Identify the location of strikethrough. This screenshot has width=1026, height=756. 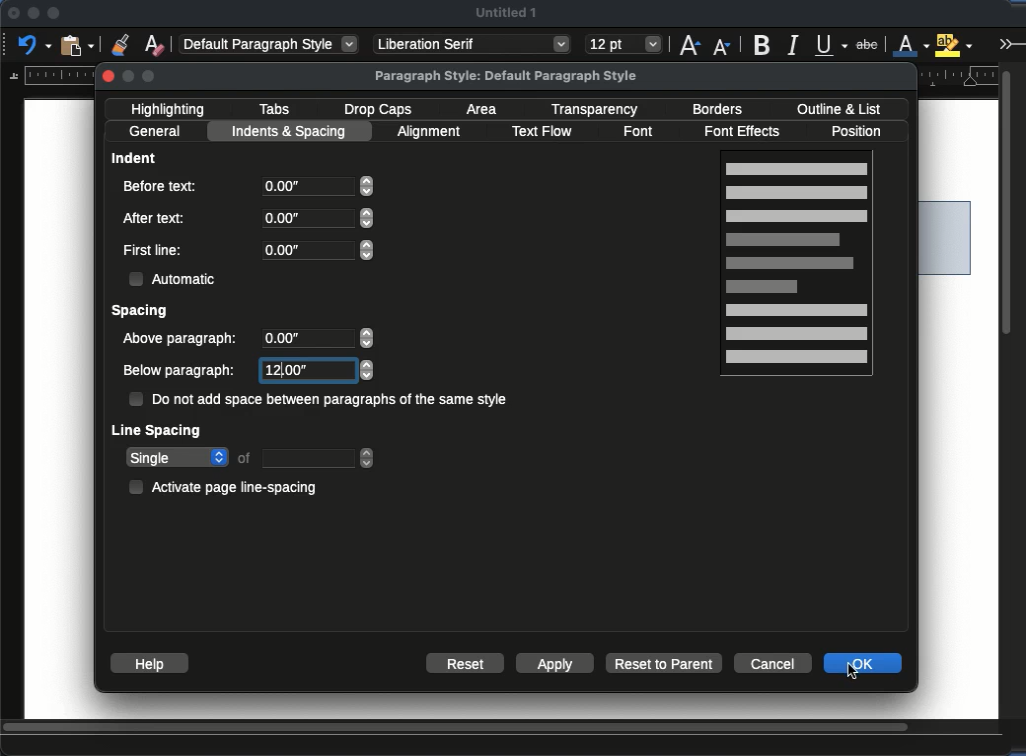
(867, 45).